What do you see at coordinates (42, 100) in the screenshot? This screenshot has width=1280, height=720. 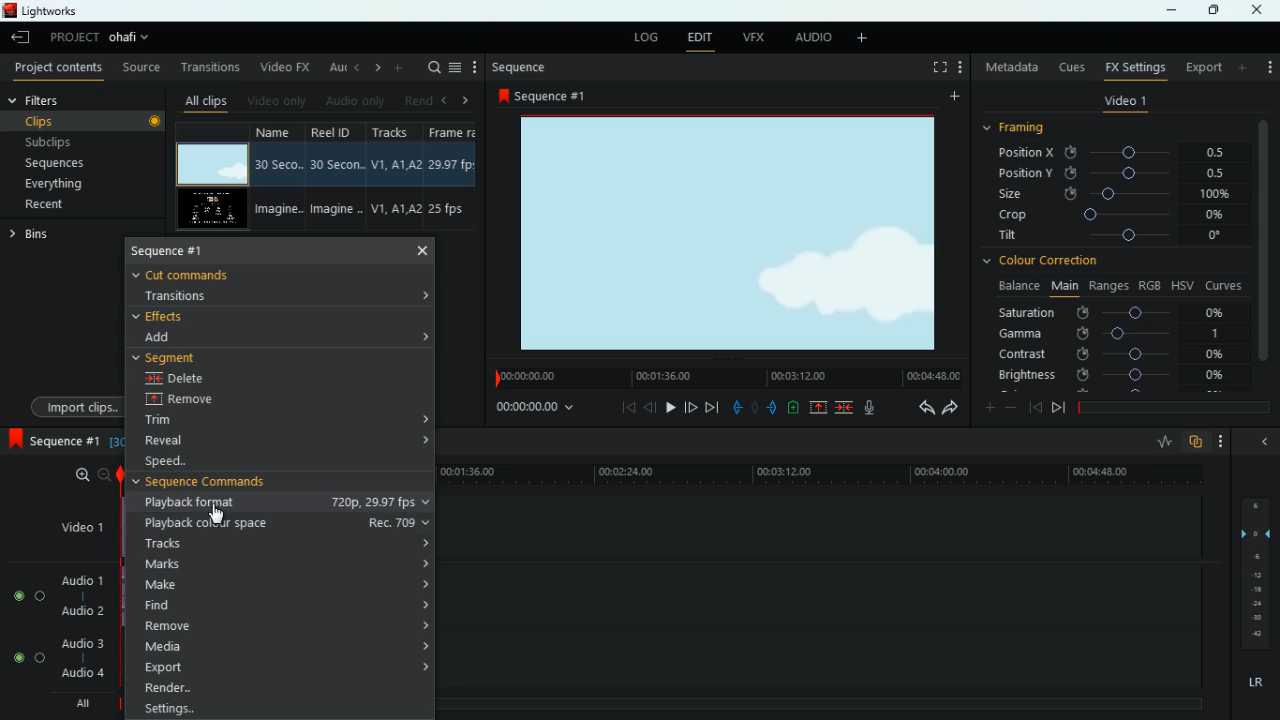 I see `filters` at bounding box center [42, 100].